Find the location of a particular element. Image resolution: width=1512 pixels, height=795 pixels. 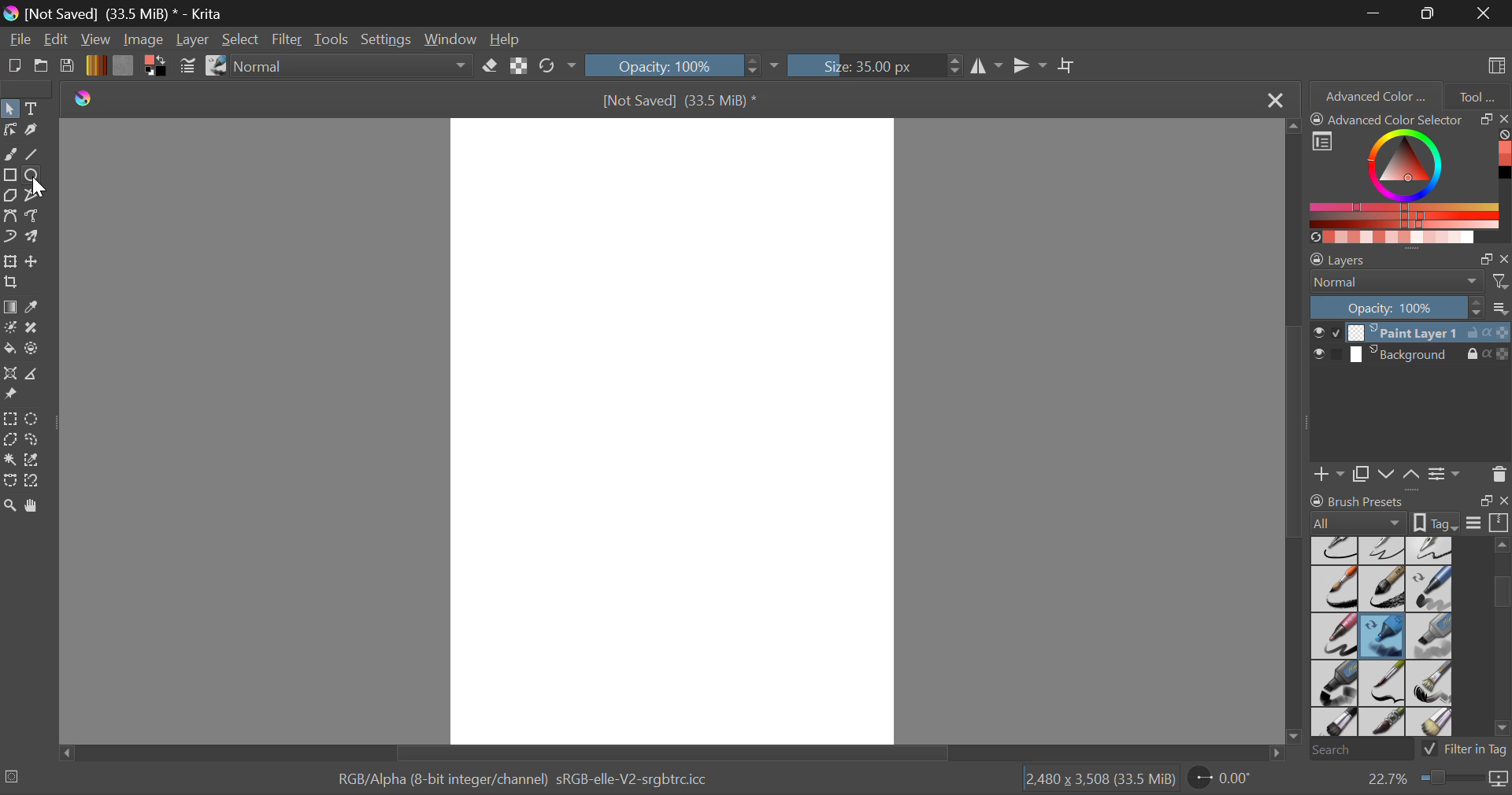

Choose Workspace is located at coordinates (1494, 64).